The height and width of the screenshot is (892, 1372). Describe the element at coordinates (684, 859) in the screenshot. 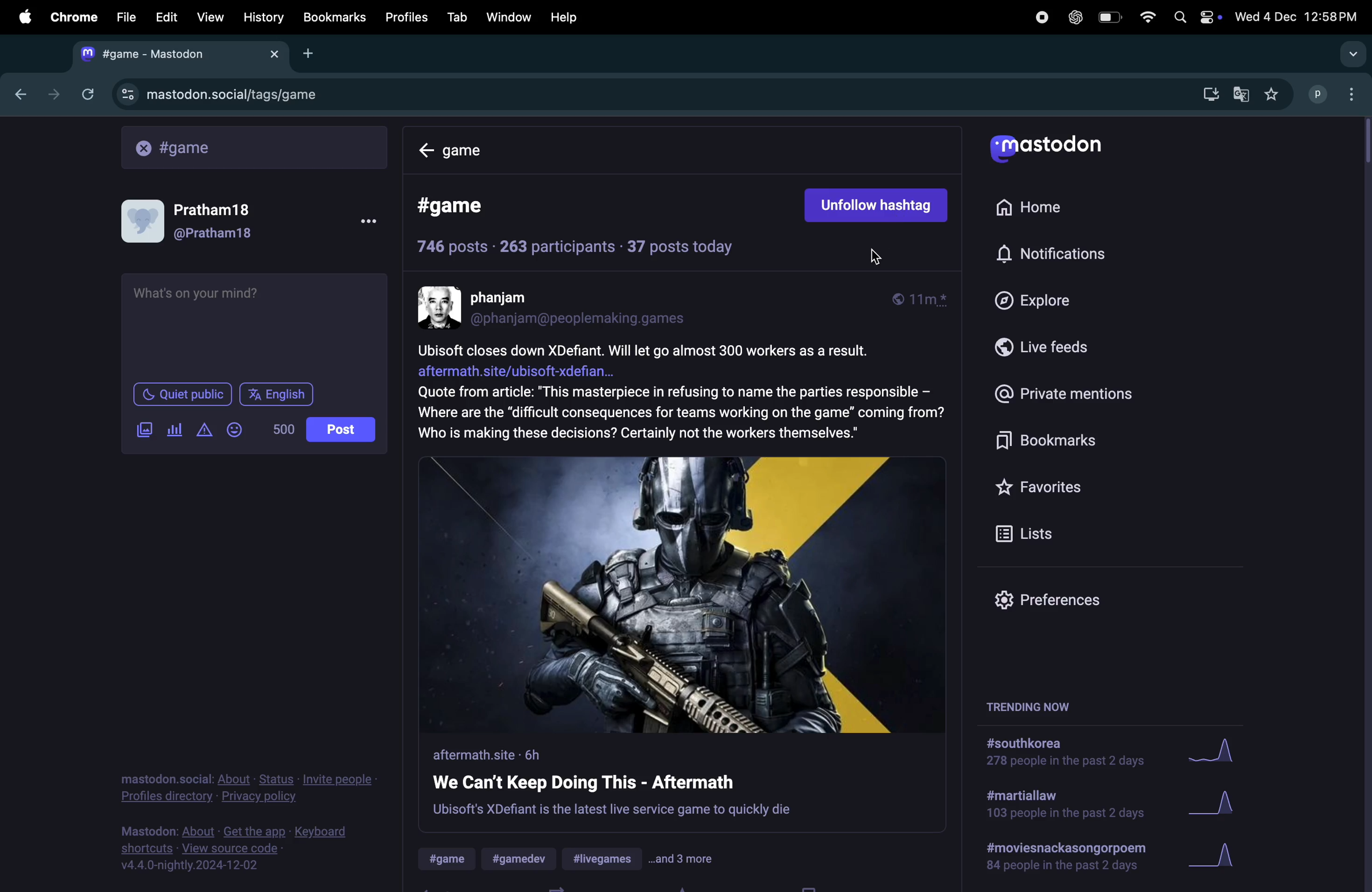

I see `#more` at that location.